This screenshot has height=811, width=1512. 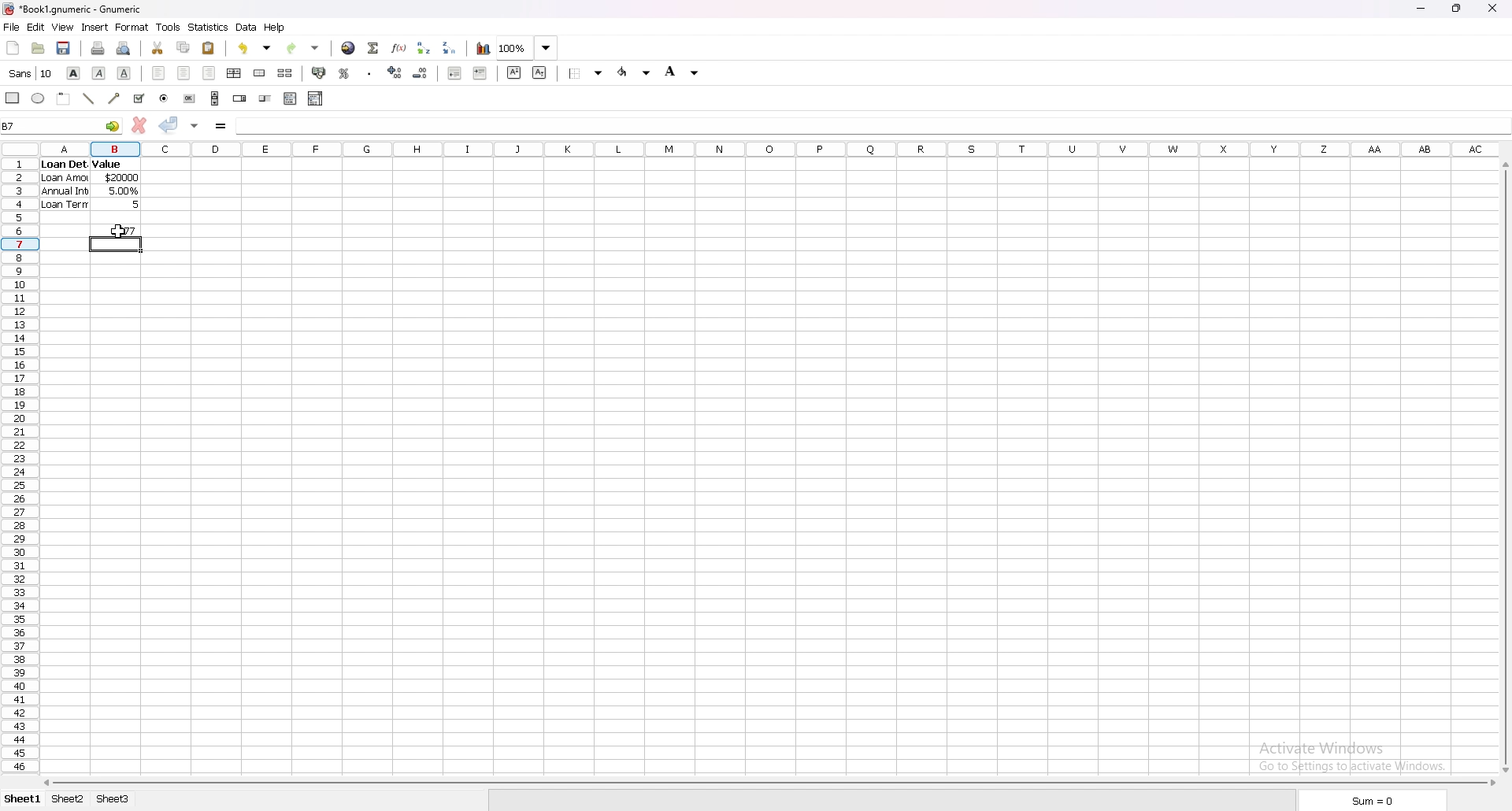 I want to click on sheet 2, so click(x=69, y=799).